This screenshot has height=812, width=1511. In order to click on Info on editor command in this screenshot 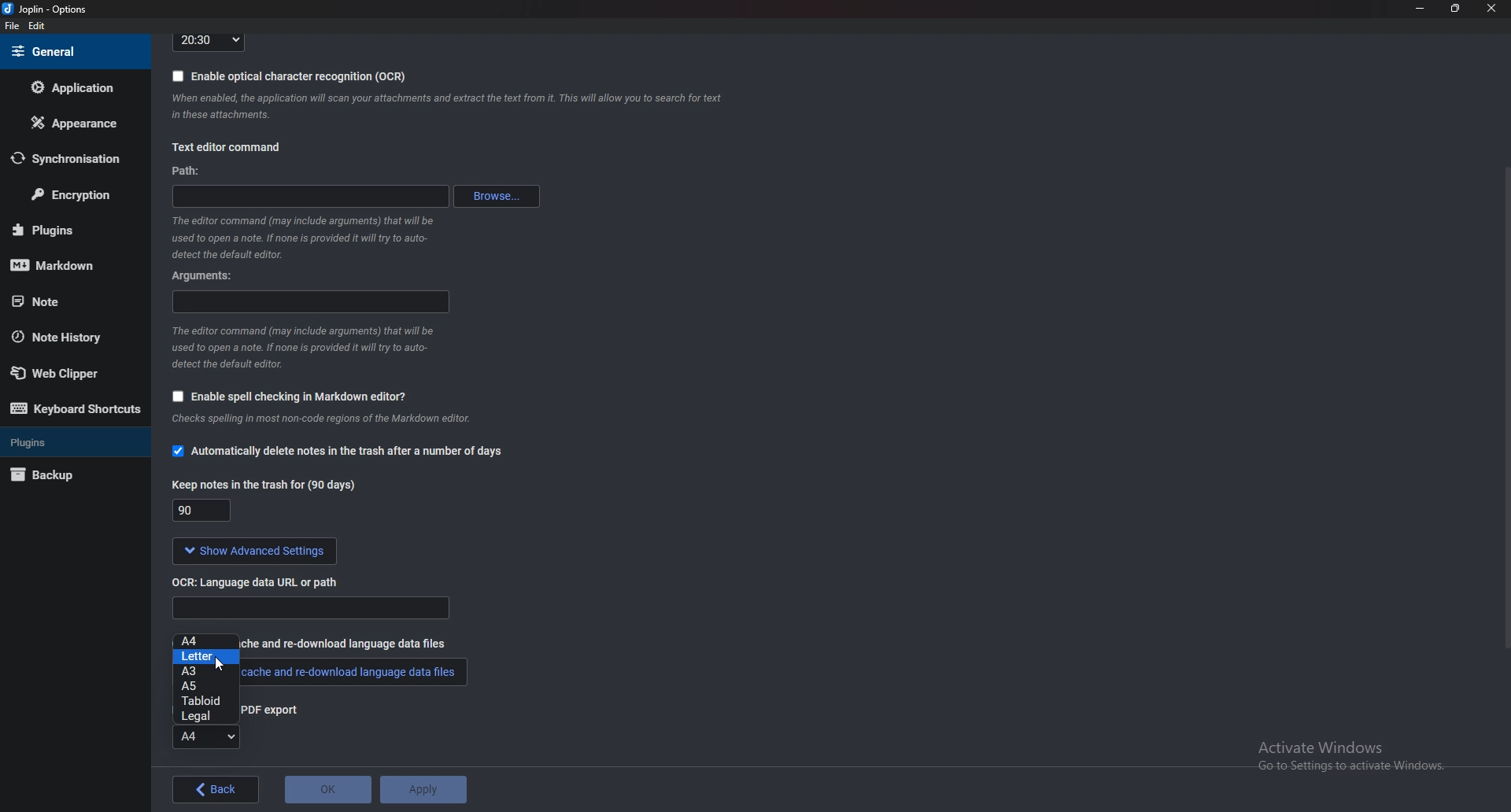, I will do `click(298, 237)`.